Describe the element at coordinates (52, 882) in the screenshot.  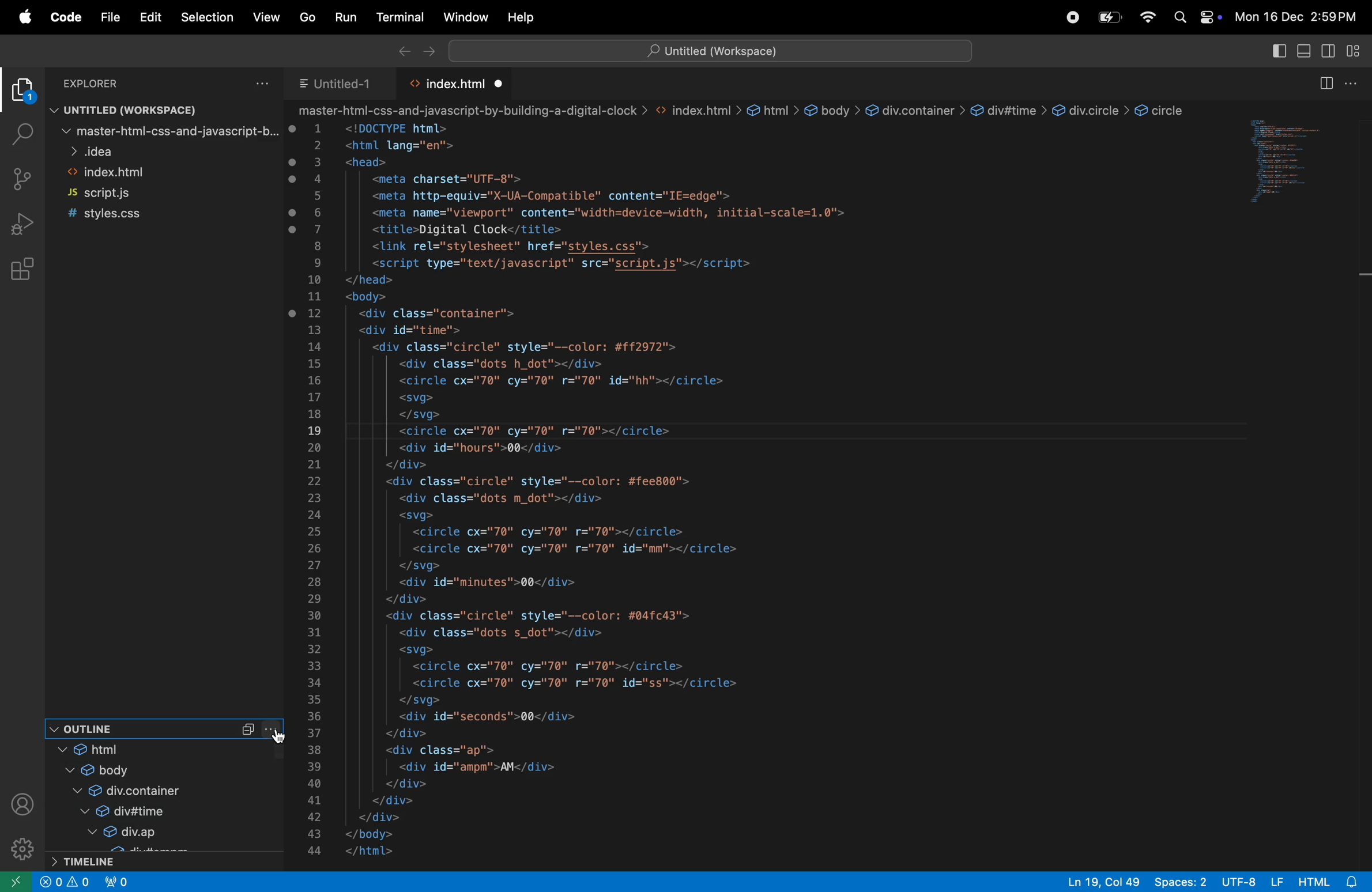
I see `create alert` at that location.